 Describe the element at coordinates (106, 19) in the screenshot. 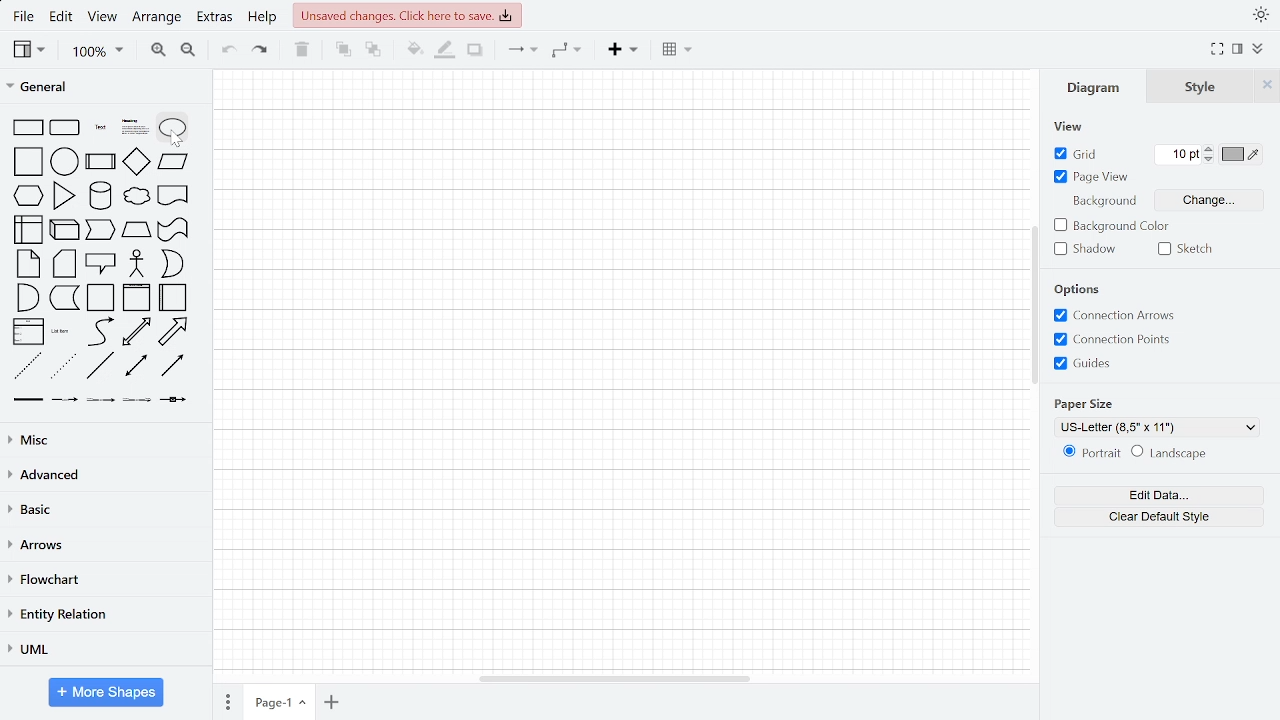

I see `view` at that location.